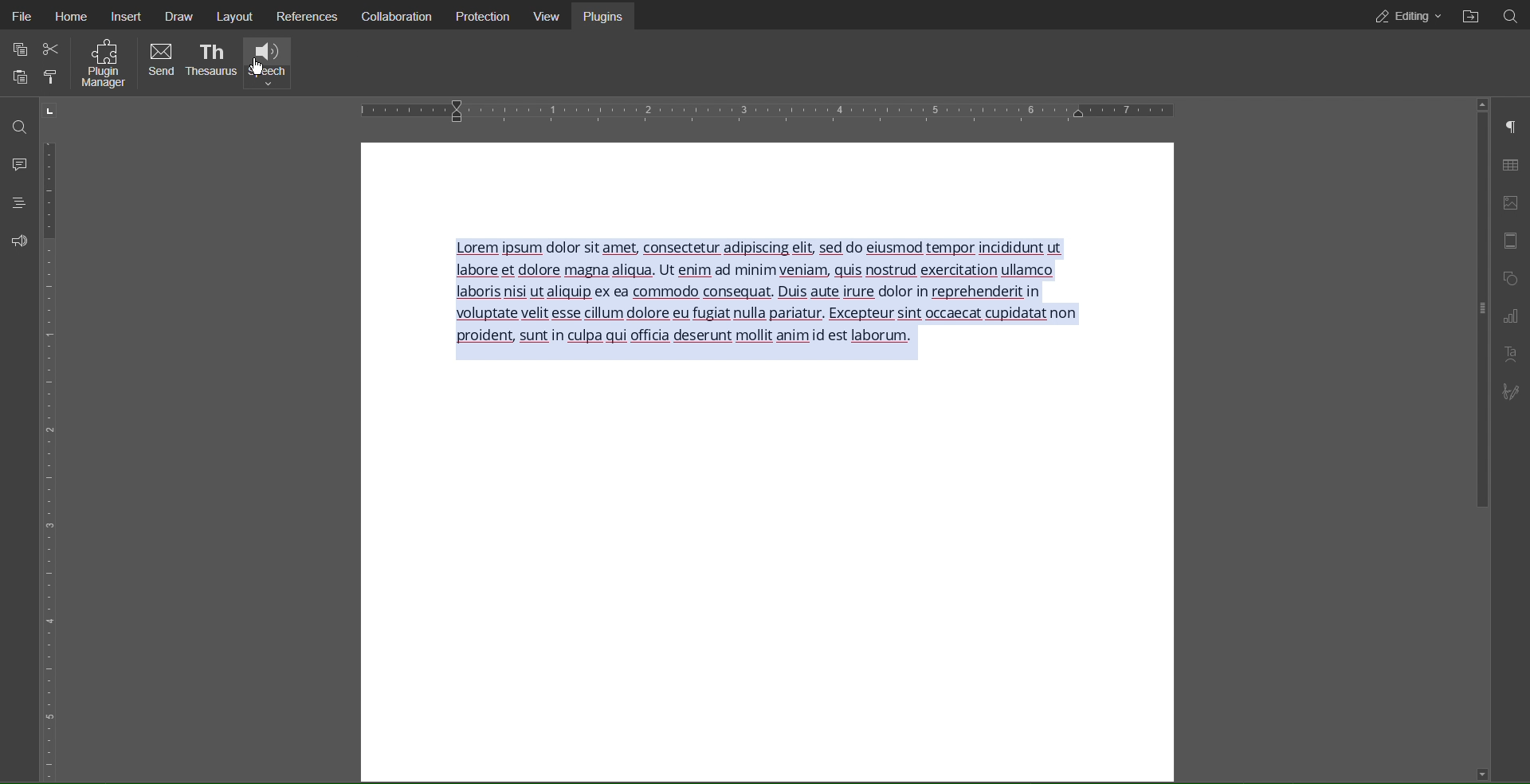 This screenshot has height=784, width=1530. I want to click on Signature, so click(1508, 391).